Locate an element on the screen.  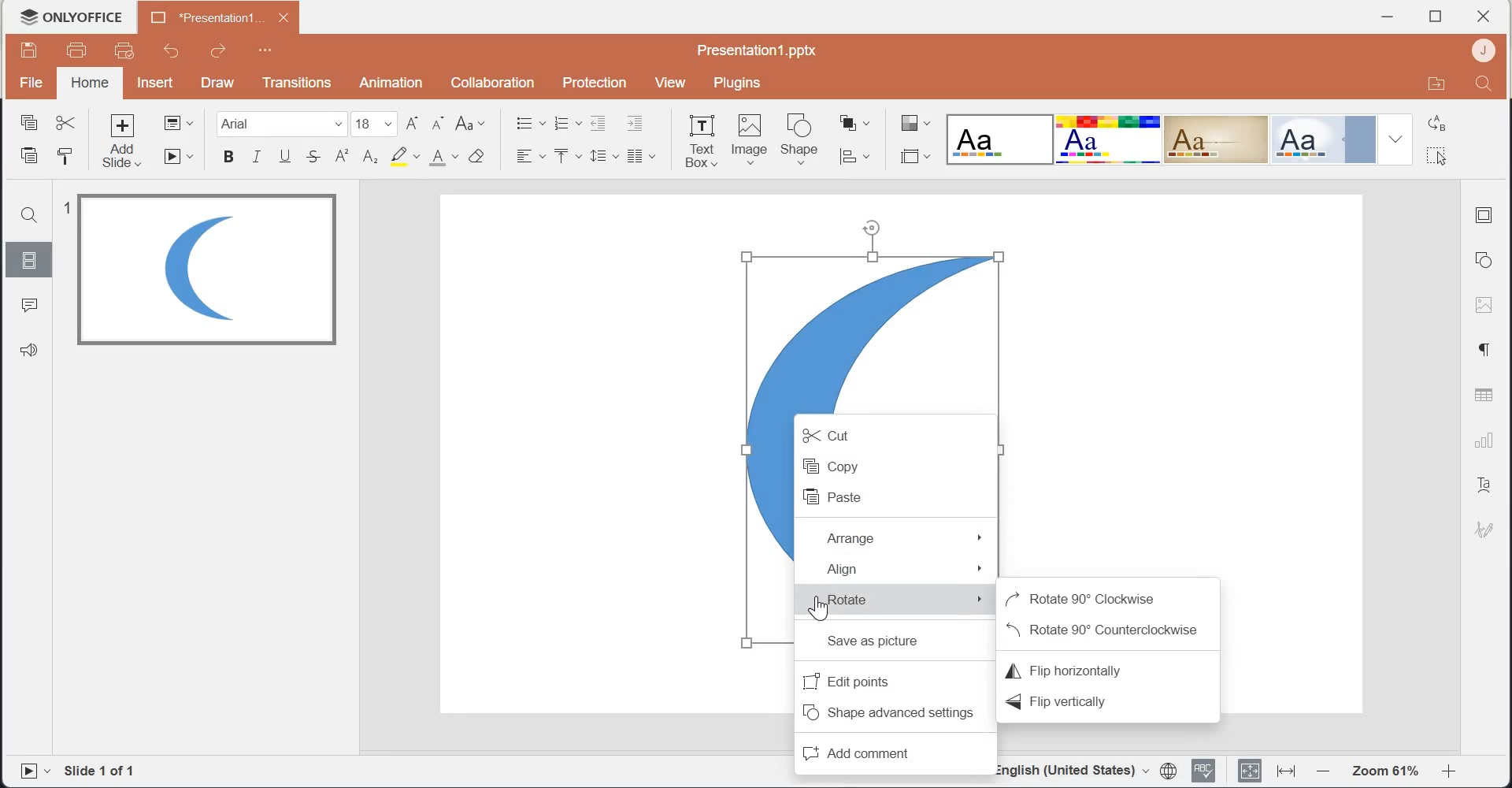
Change color theme is located at coordinates (913, 123).